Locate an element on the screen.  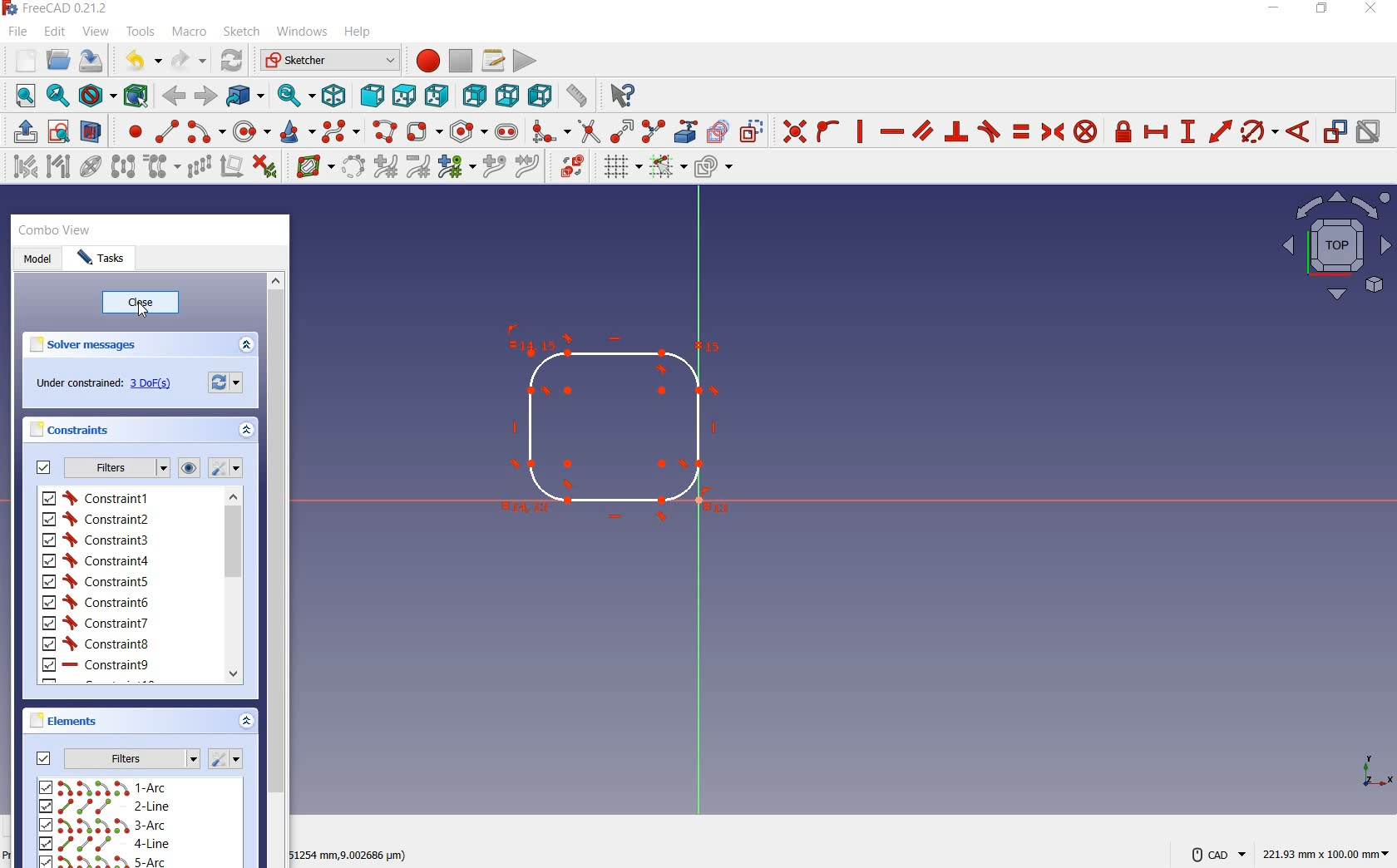
close is located at coordinates (141, 303).